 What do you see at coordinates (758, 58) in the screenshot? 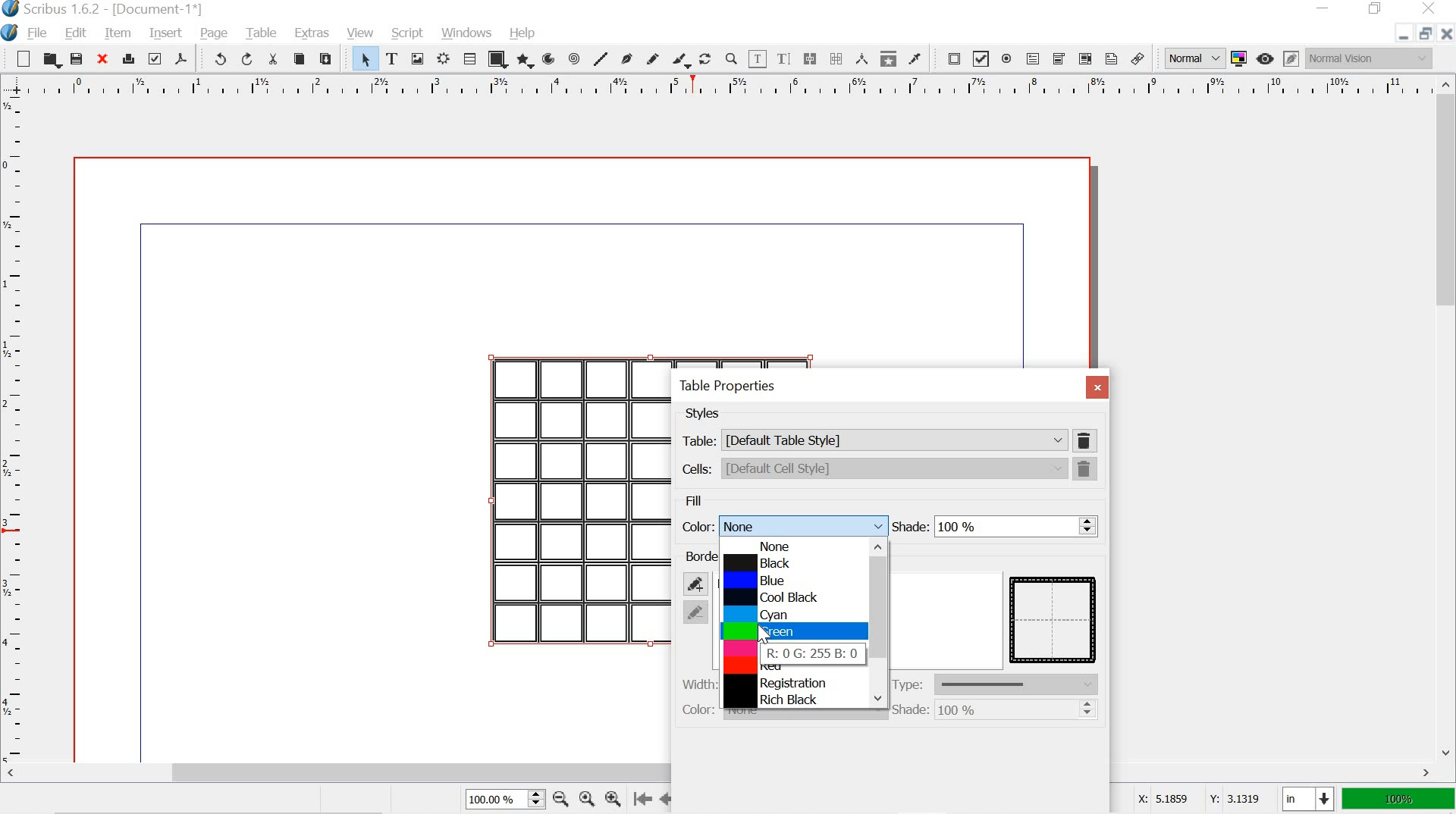
I see `edit contents of frame` at bounding box center [758, 58].